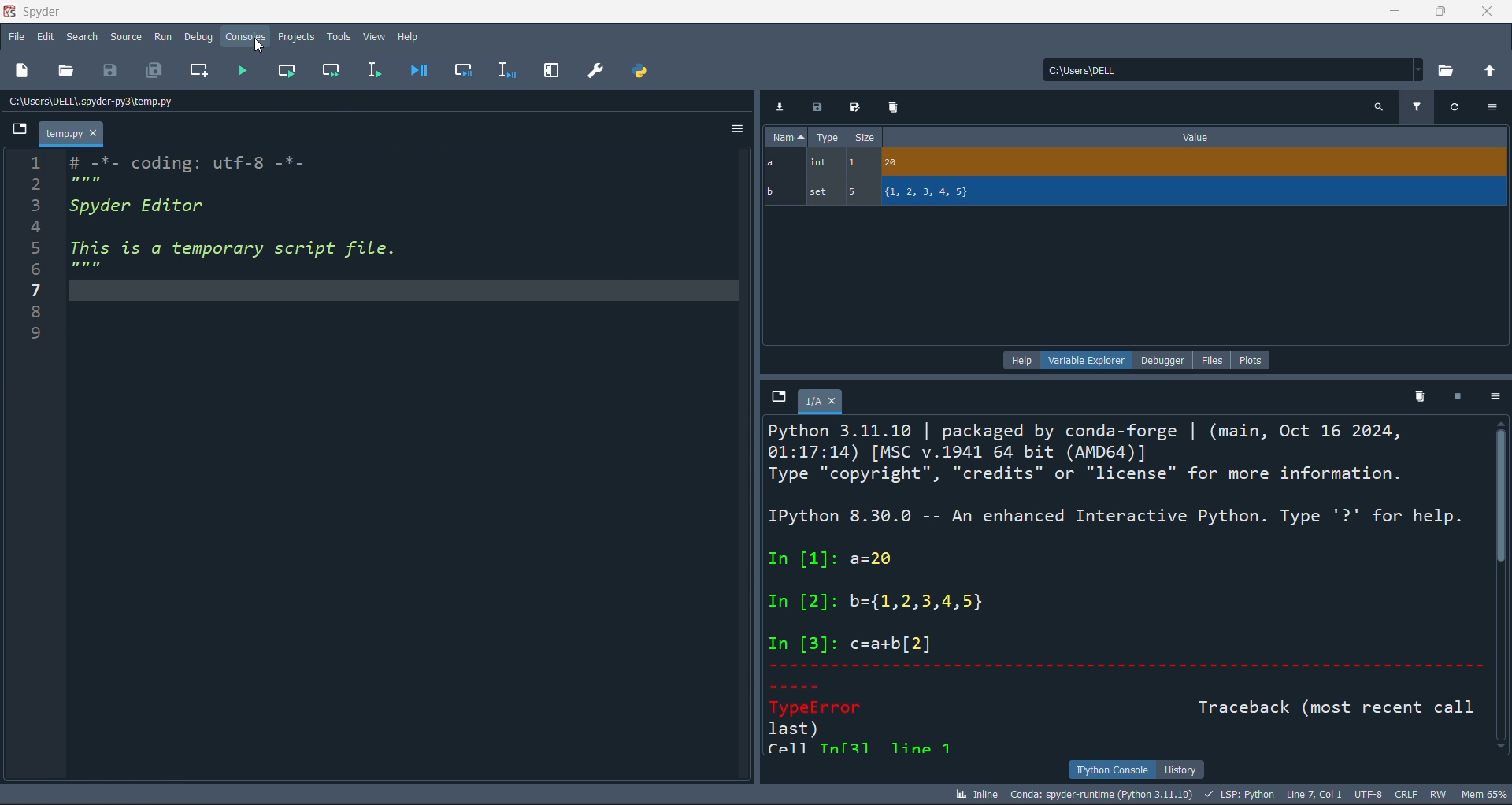  I want to click on mem 65%, so click(1487, 795).